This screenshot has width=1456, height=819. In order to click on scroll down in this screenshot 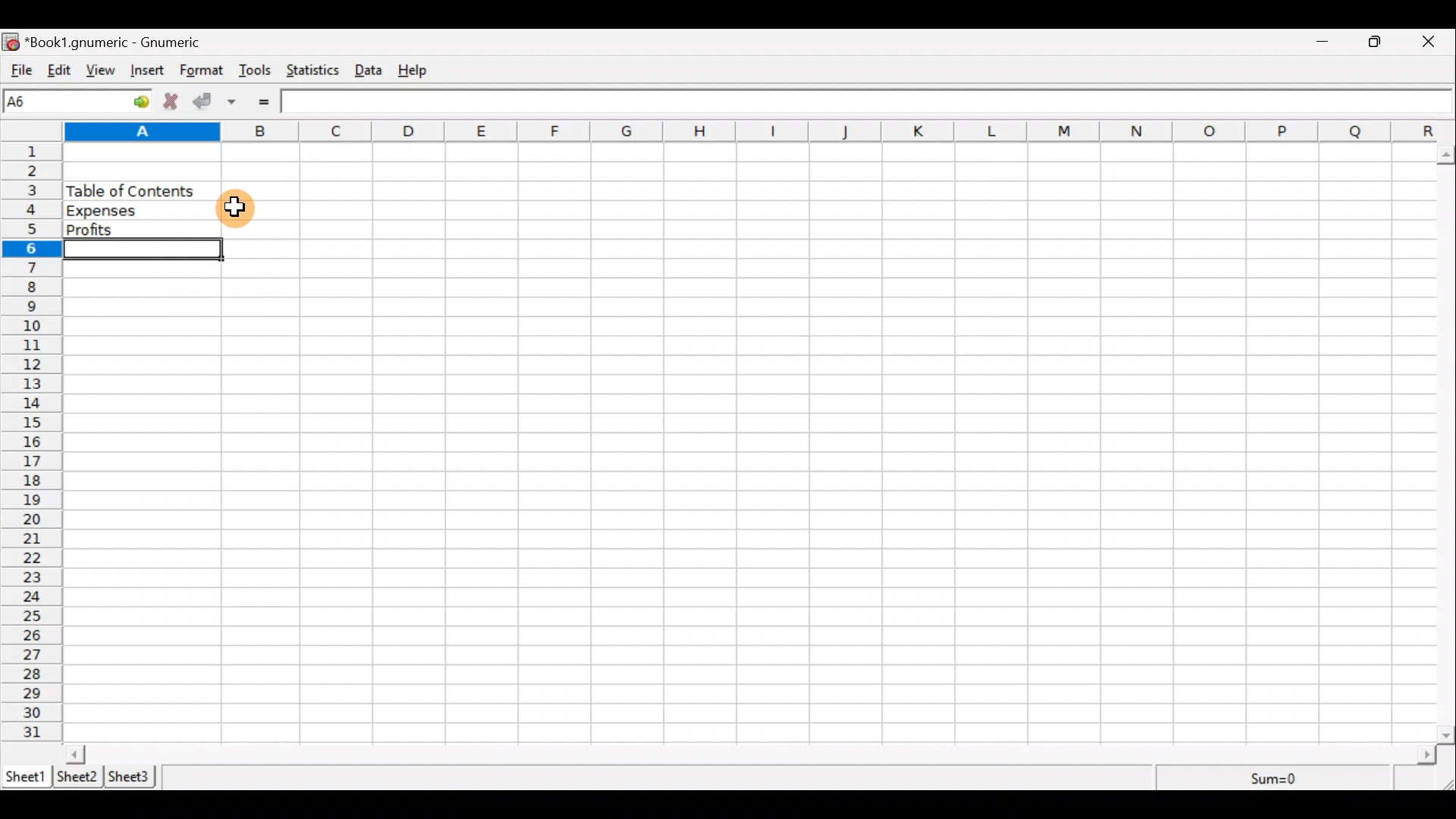, I will do `click(1447, 735)`.